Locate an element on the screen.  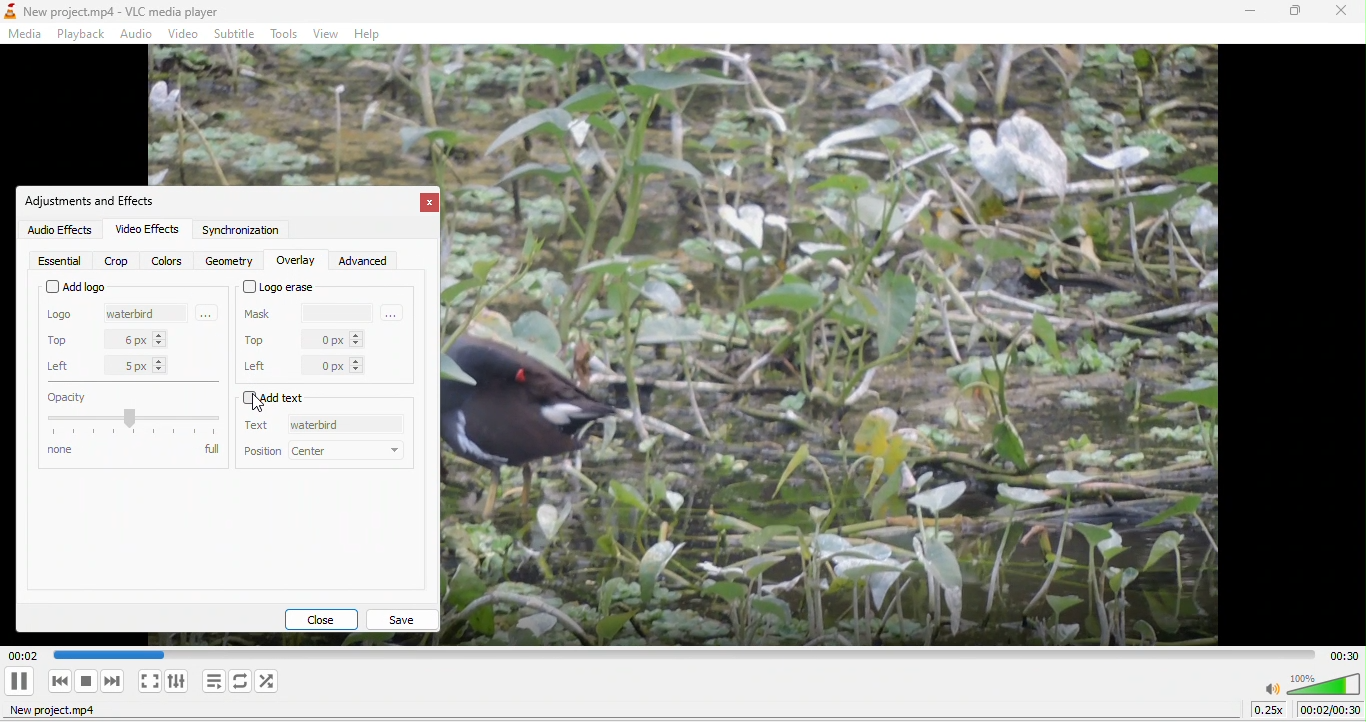
overlay is located at coordinates (293, 261).